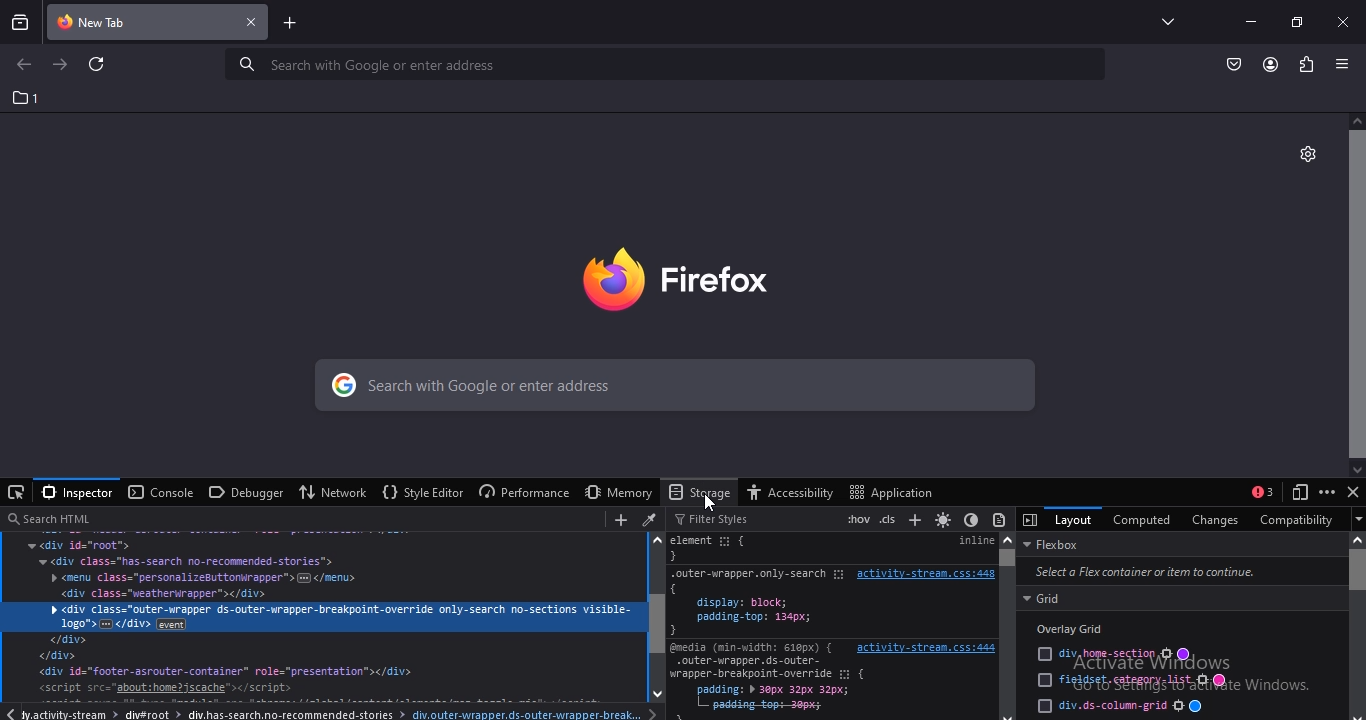  I want to click on open application menu, so click(1345, 64).